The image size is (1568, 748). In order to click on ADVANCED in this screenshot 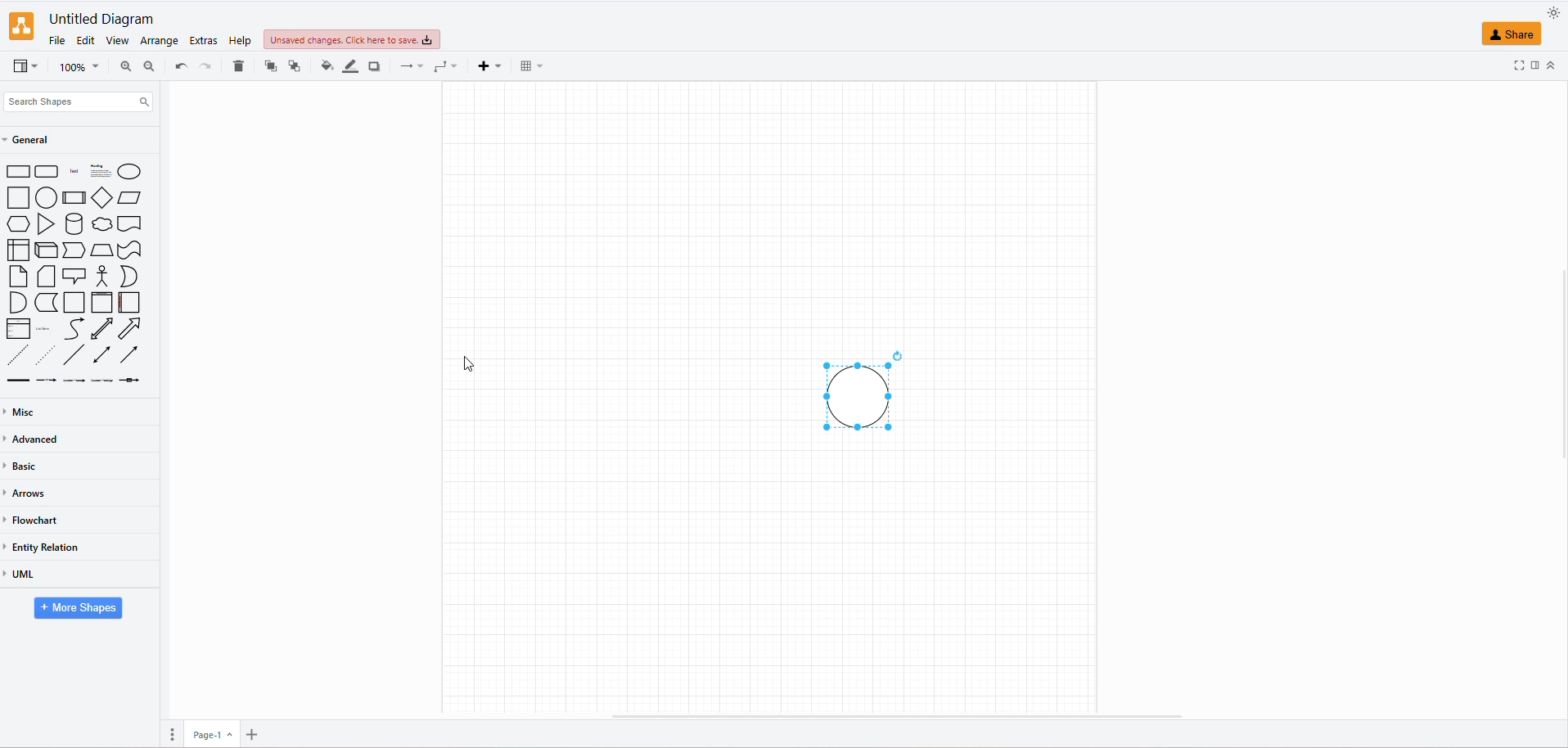, I will do `click(37, 439)`.